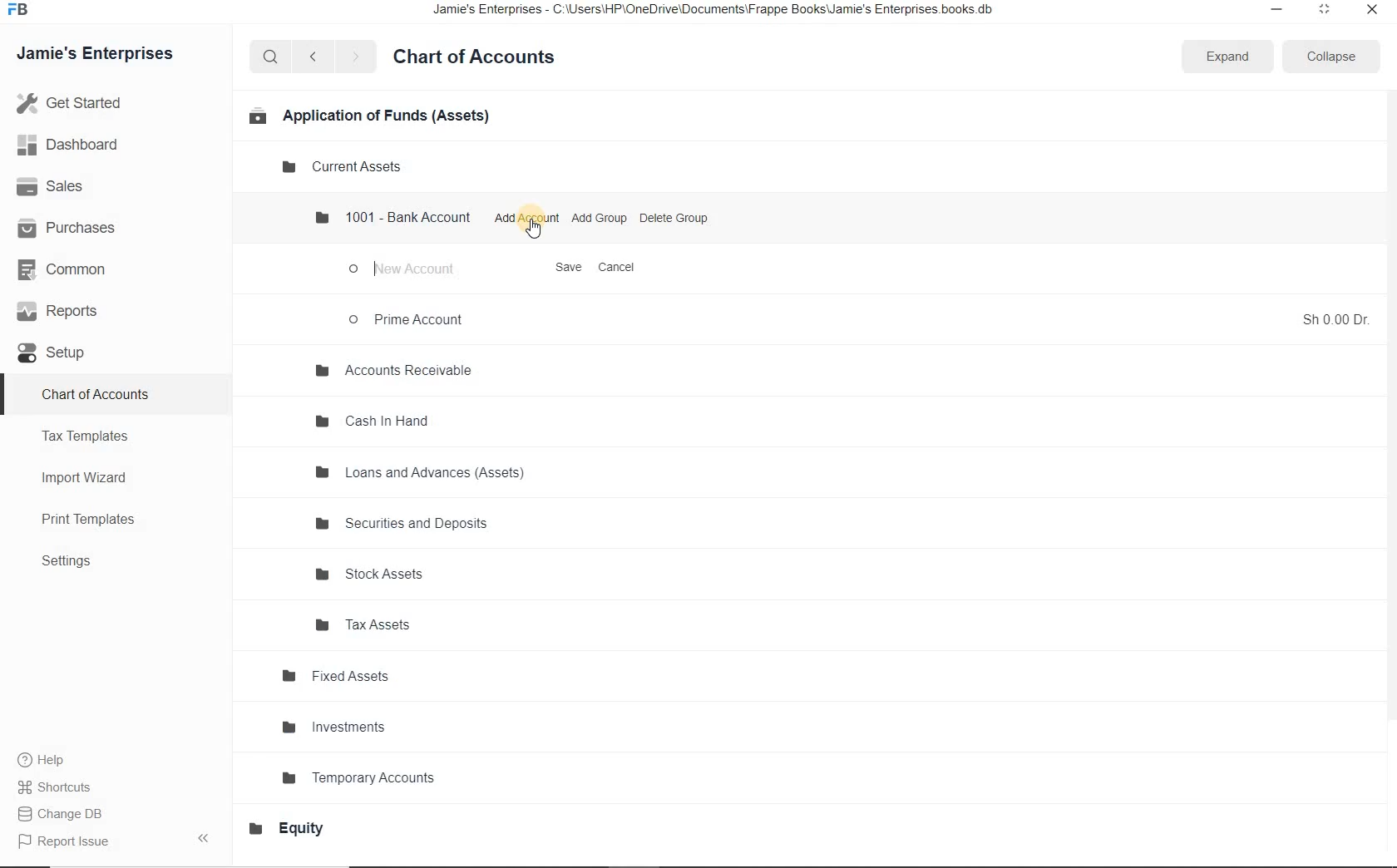  Describe the element at coordinates (72, 187) in the screenshot. I see `Sales` at that location.